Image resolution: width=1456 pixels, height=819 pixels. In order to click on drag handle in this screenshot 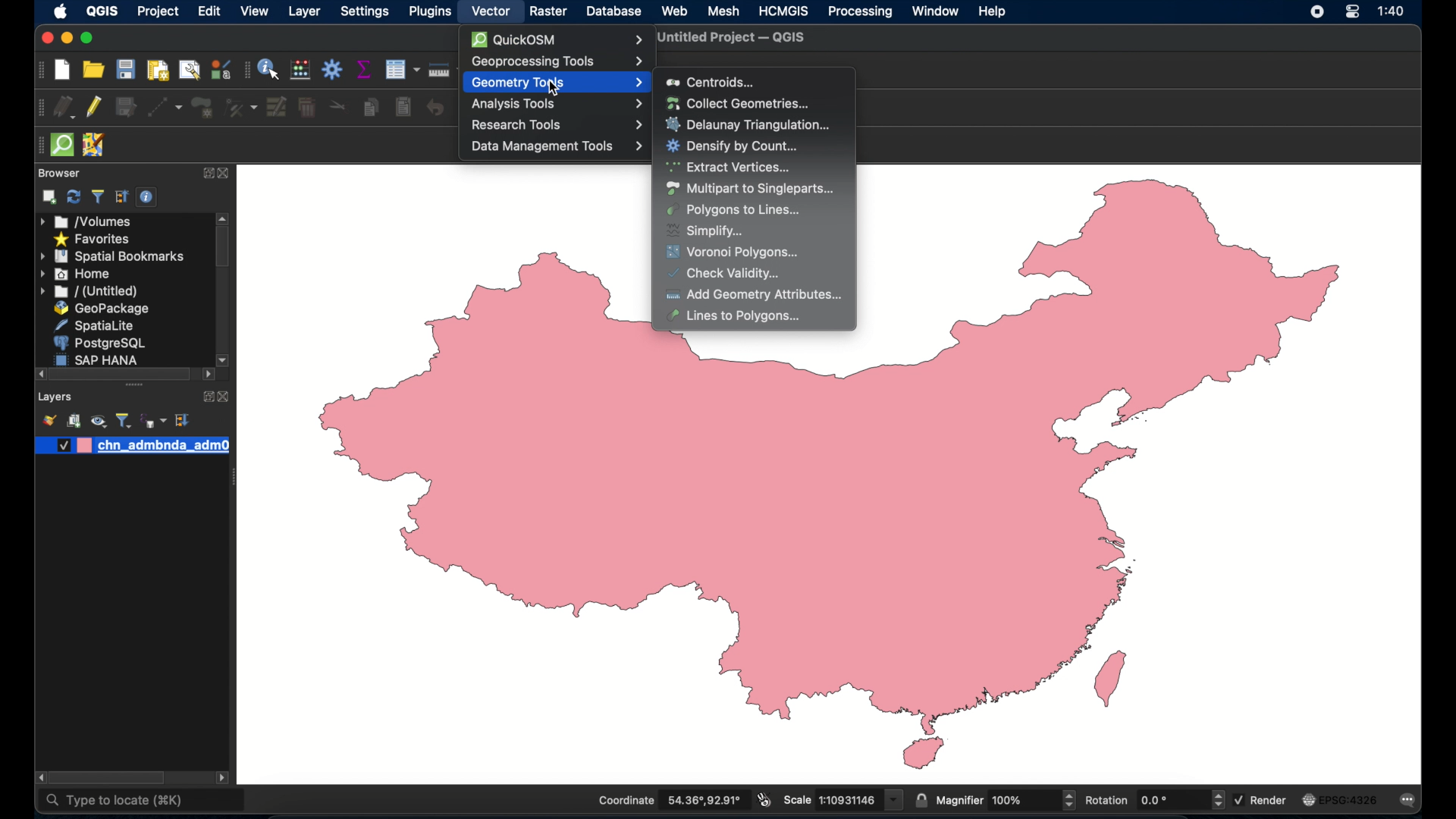, I will do `click(36, 144)`.